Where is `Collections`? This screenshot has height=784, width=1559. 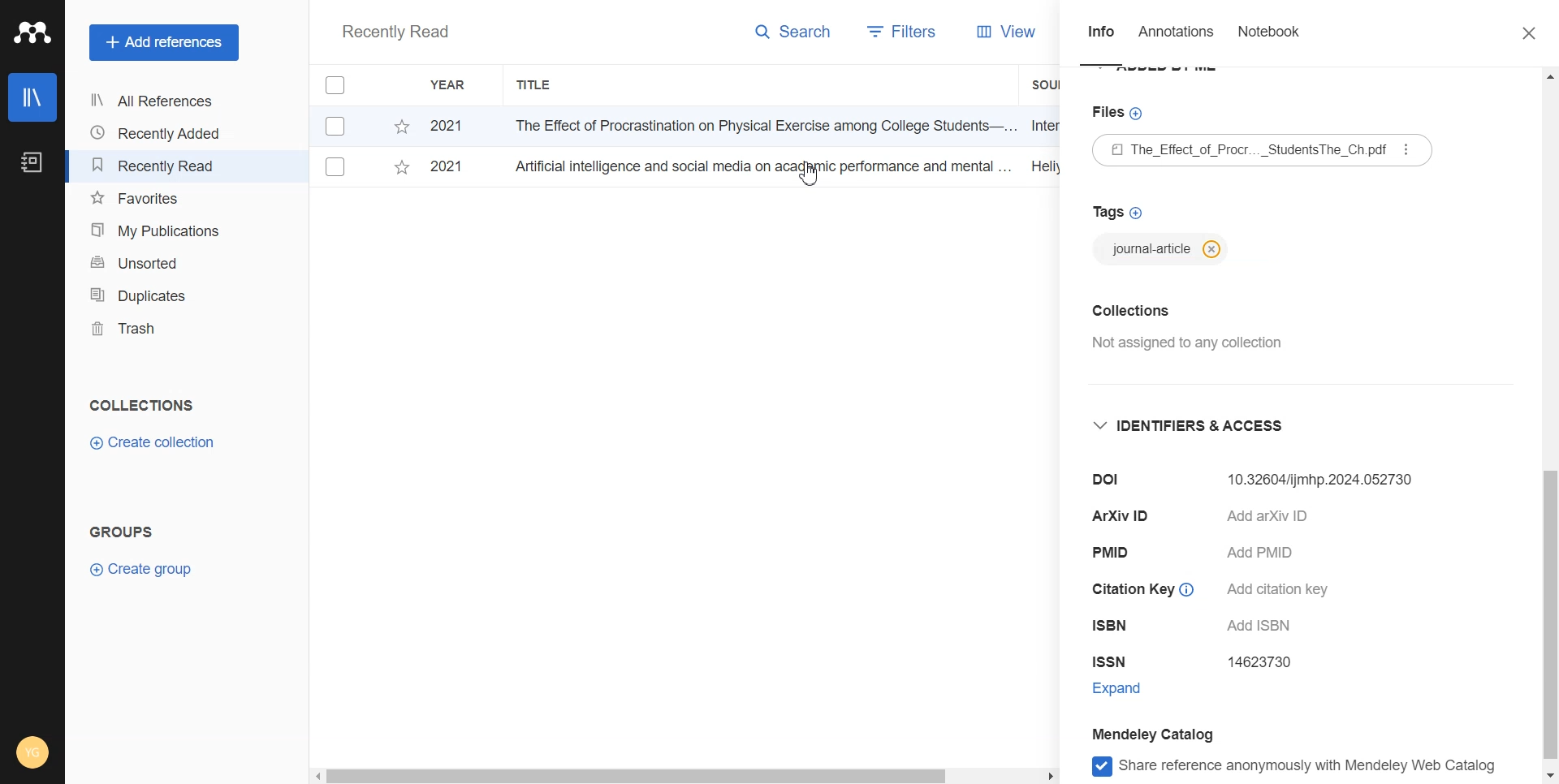
Collections is located at coordinates (141, 405).